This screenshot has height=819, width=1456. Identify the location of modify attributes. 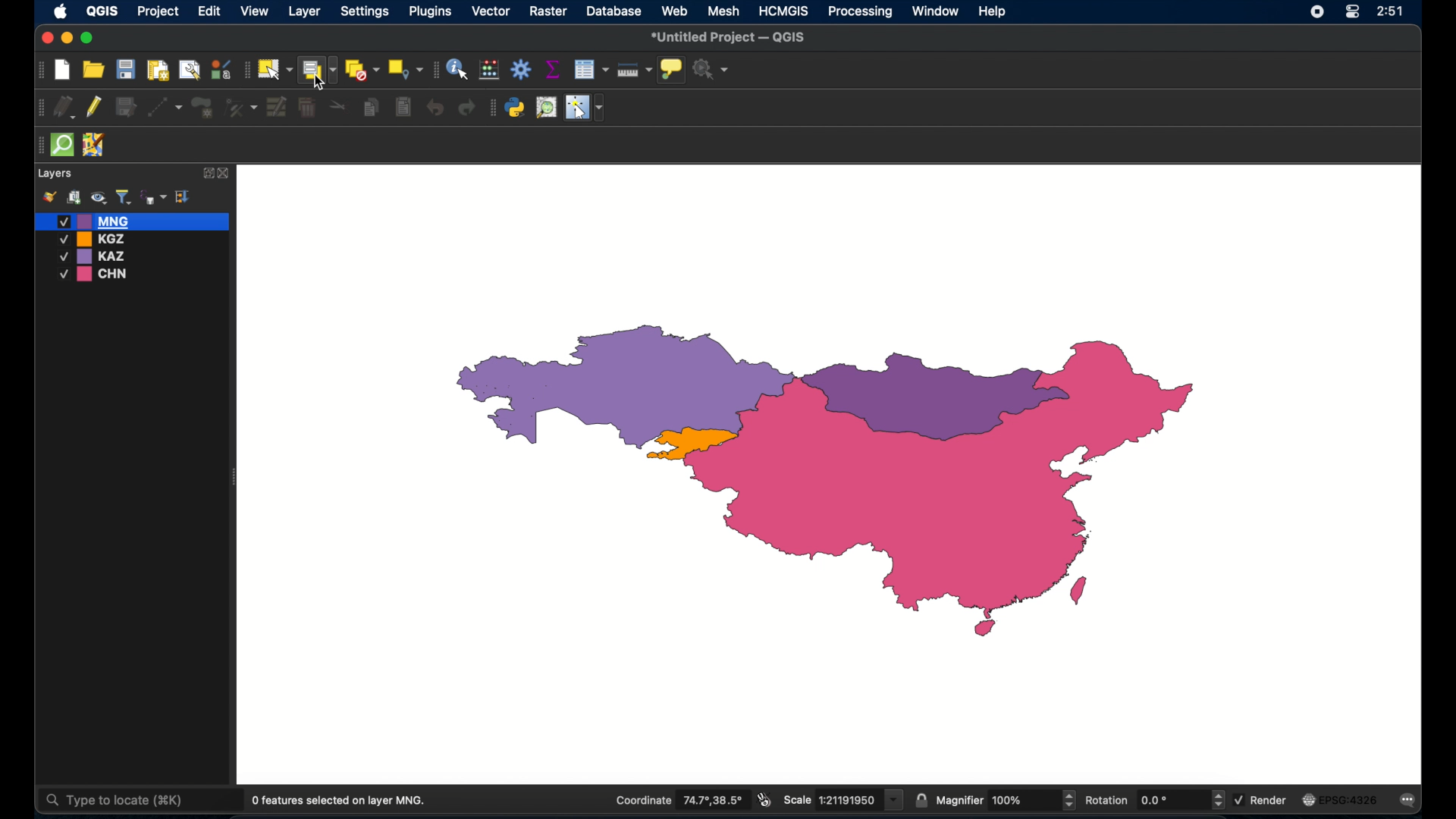
(277, 108).